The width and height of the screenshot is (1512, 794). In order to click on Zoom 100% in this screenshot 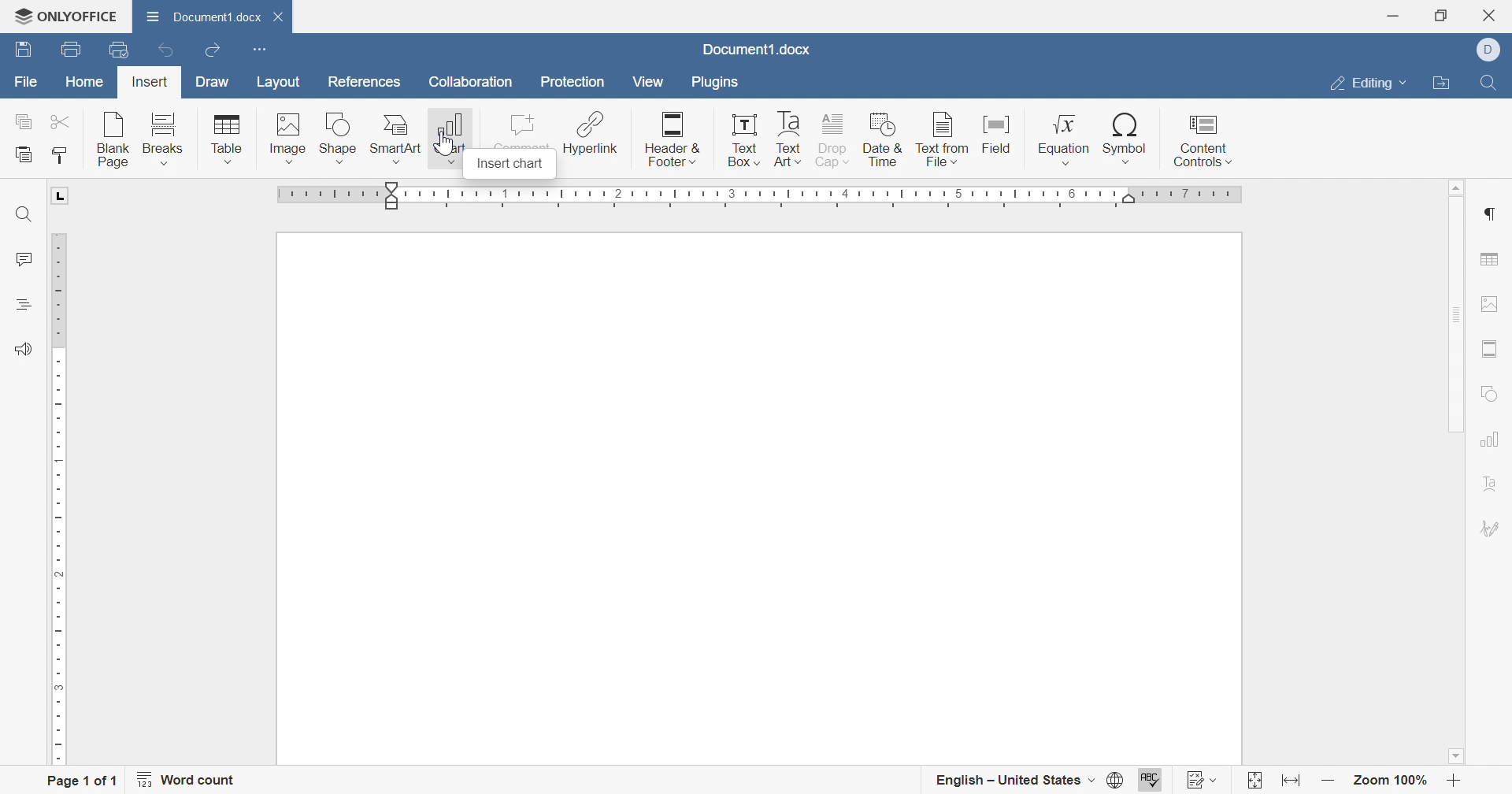, I will do `click(1392, 779)`.